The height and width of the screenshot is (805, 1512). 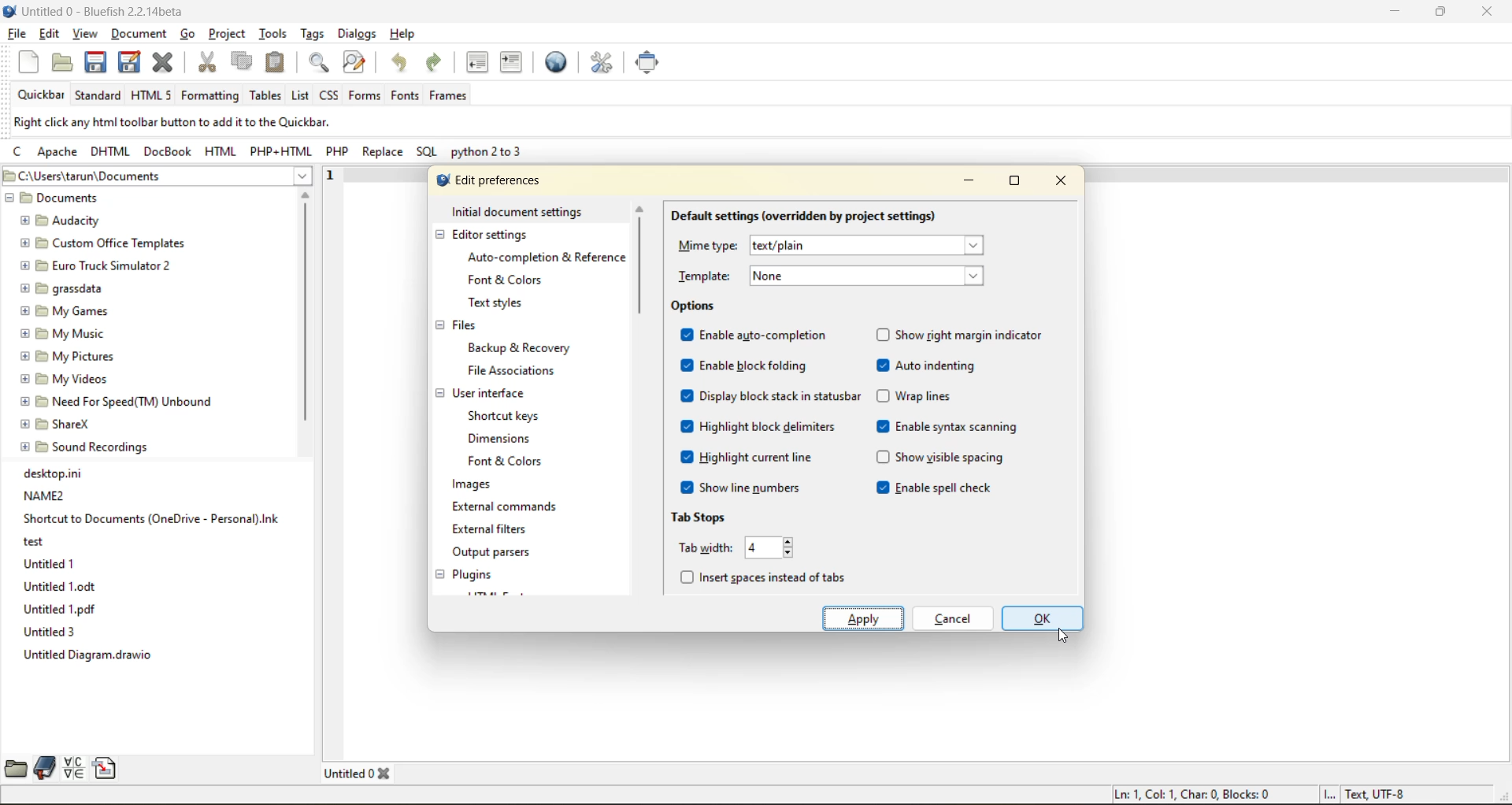 What do you see at coordinates (494, 236) in the screenshot?
I see `editor settings` at bounding box center [494, 236].